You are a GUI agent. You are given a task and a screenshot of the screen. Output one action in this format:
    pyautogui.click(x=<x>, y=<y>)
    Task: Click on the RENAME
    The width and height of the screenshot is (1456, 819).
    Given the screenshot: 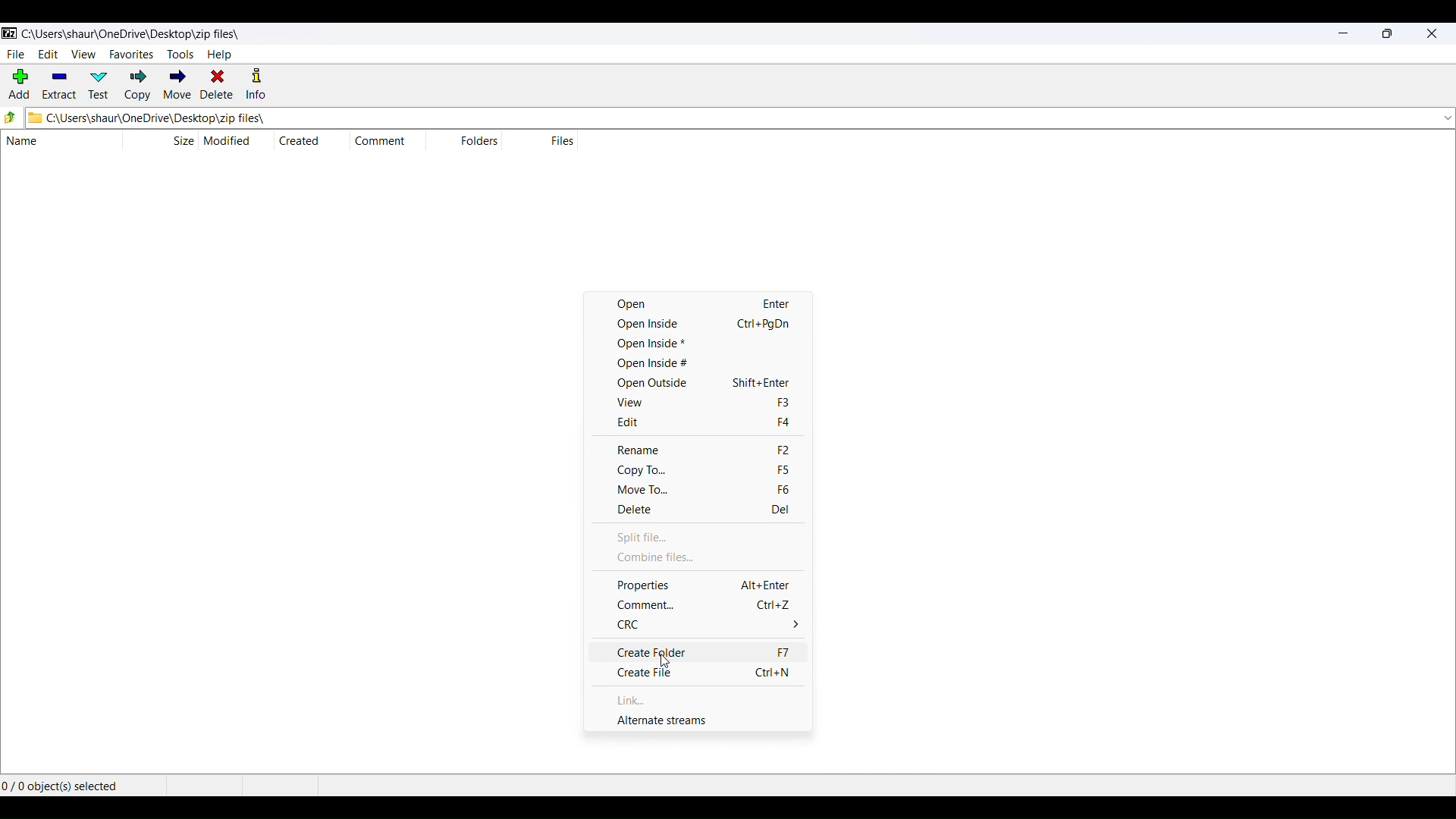 What is the action you would take?
    pyautogui.click(x=722, y=447)
    